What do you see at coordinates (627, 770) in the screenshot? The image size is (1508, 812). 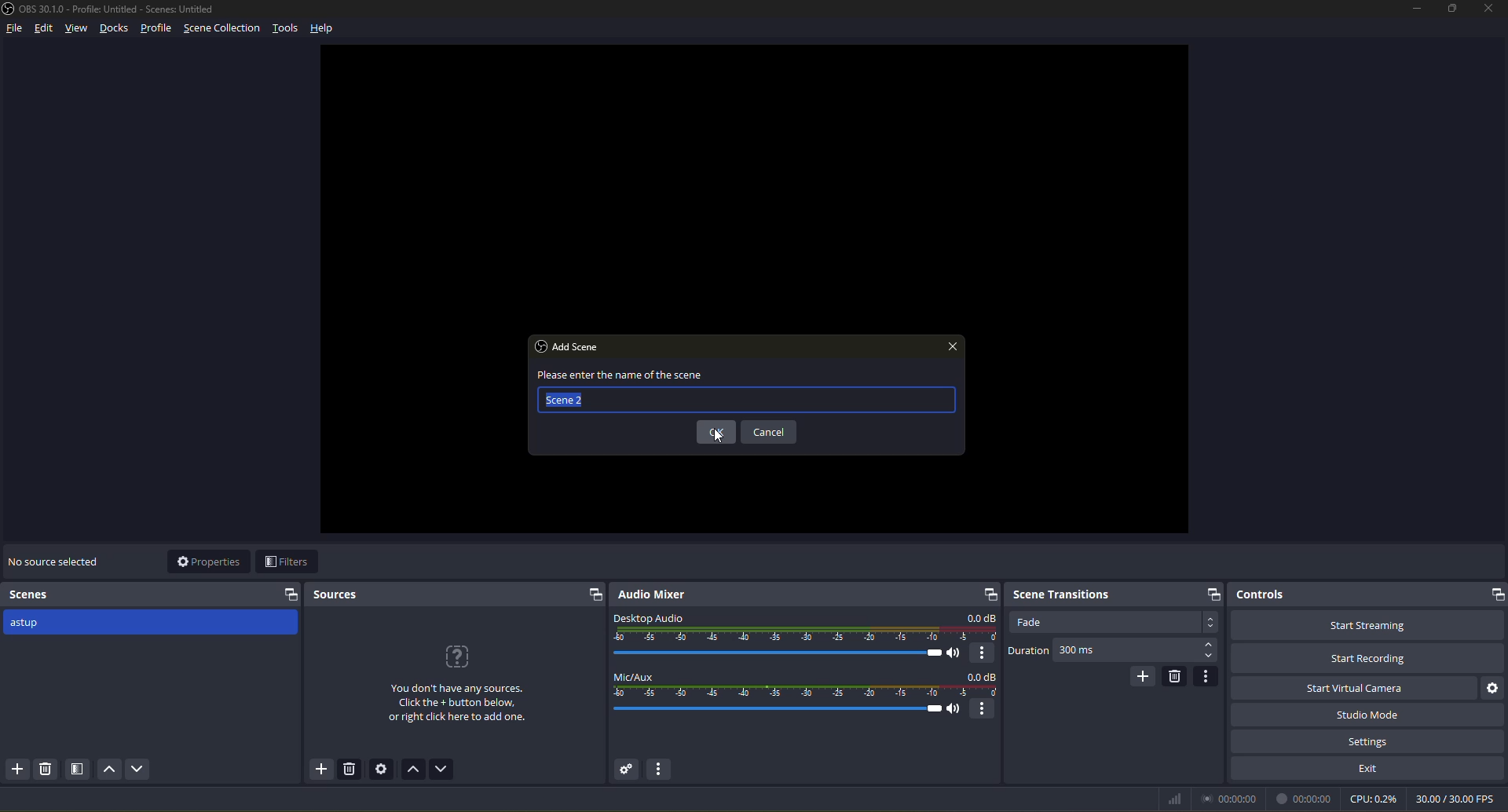 I see `advanced audio properties` at bounding box center [627, 770].